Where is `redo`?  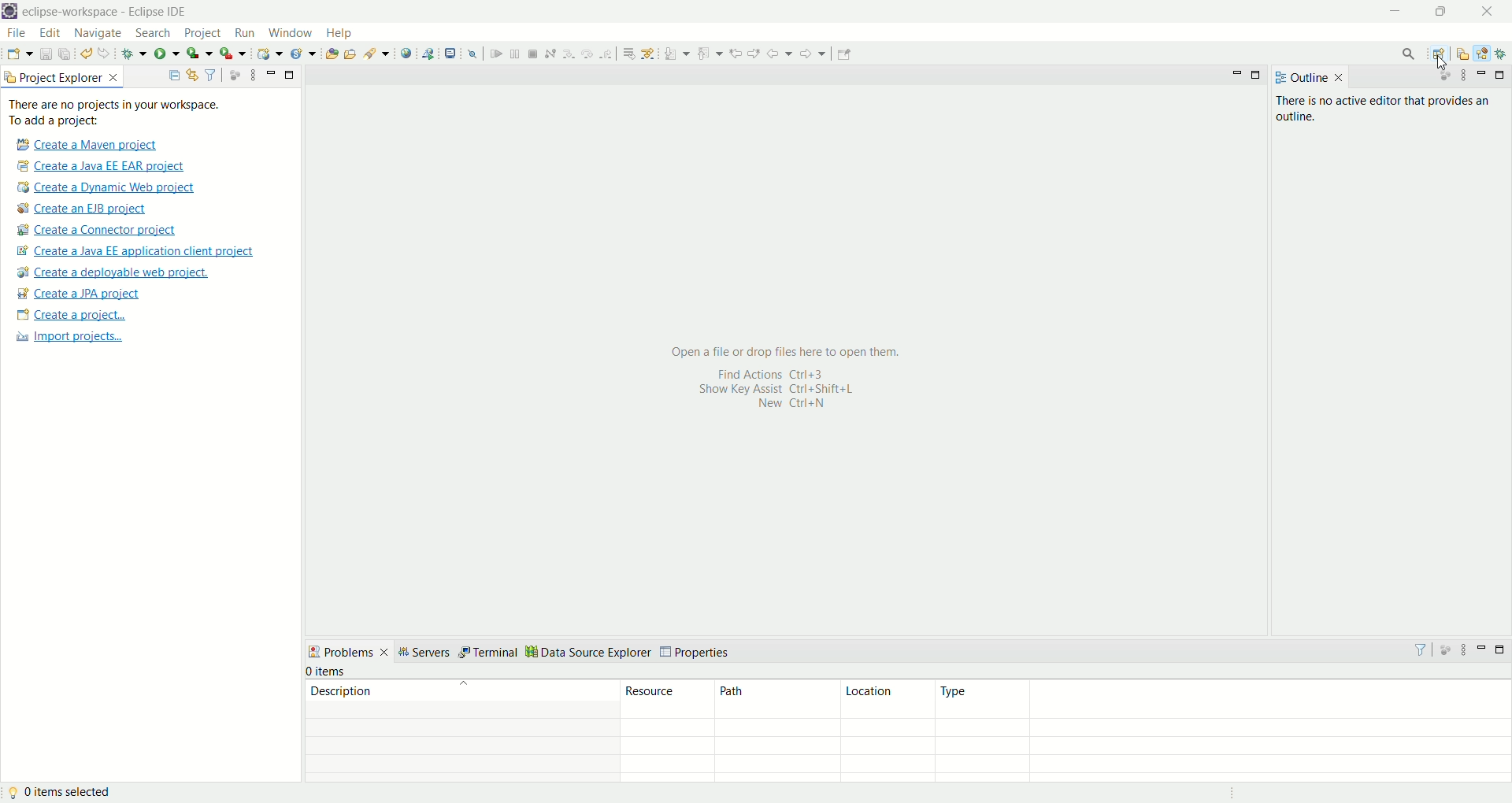
redo is located at coordinates (106, 54).